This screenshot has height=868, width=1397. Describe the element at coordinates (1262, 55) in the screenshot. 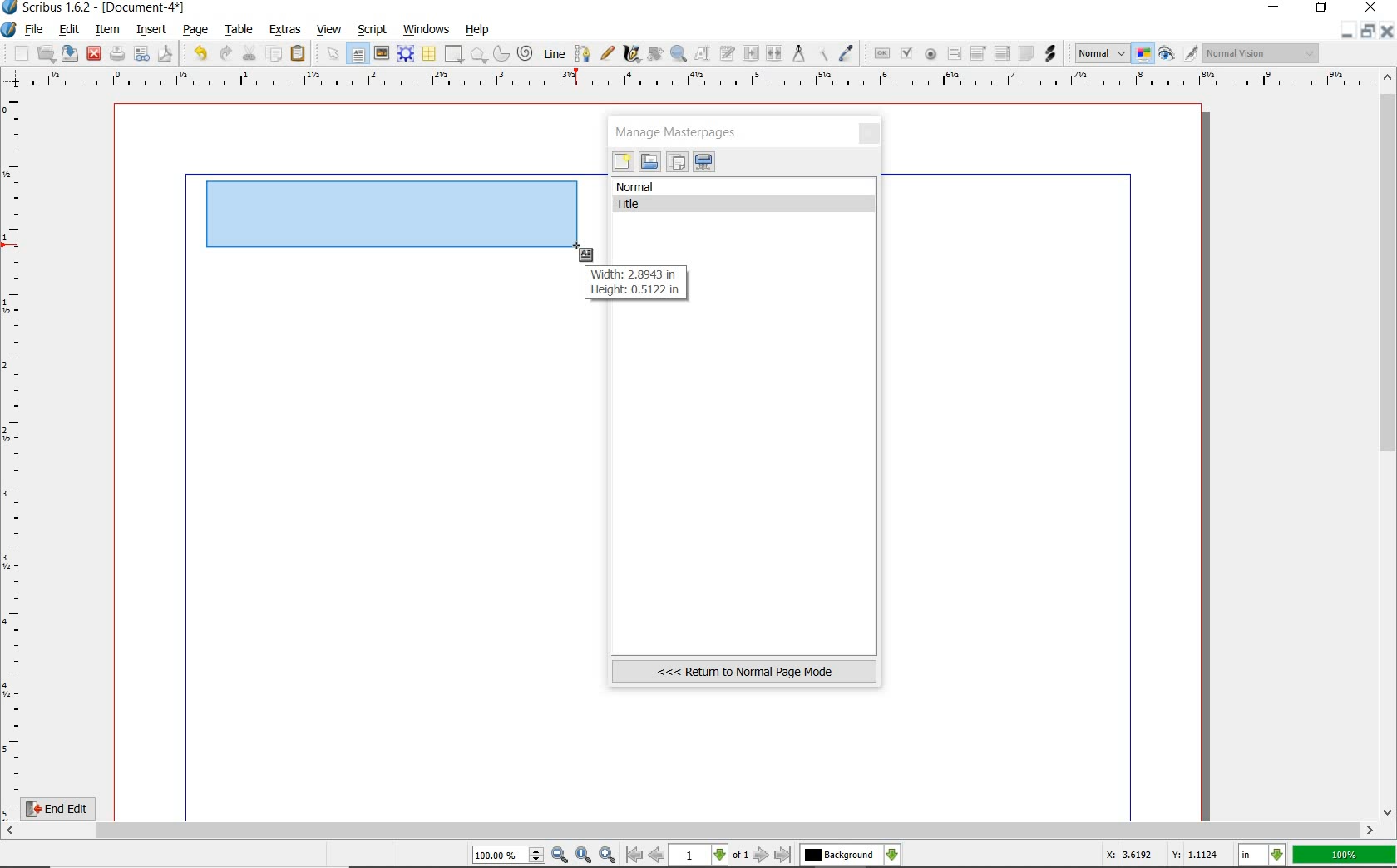

I see `Normal Vision` at that location.